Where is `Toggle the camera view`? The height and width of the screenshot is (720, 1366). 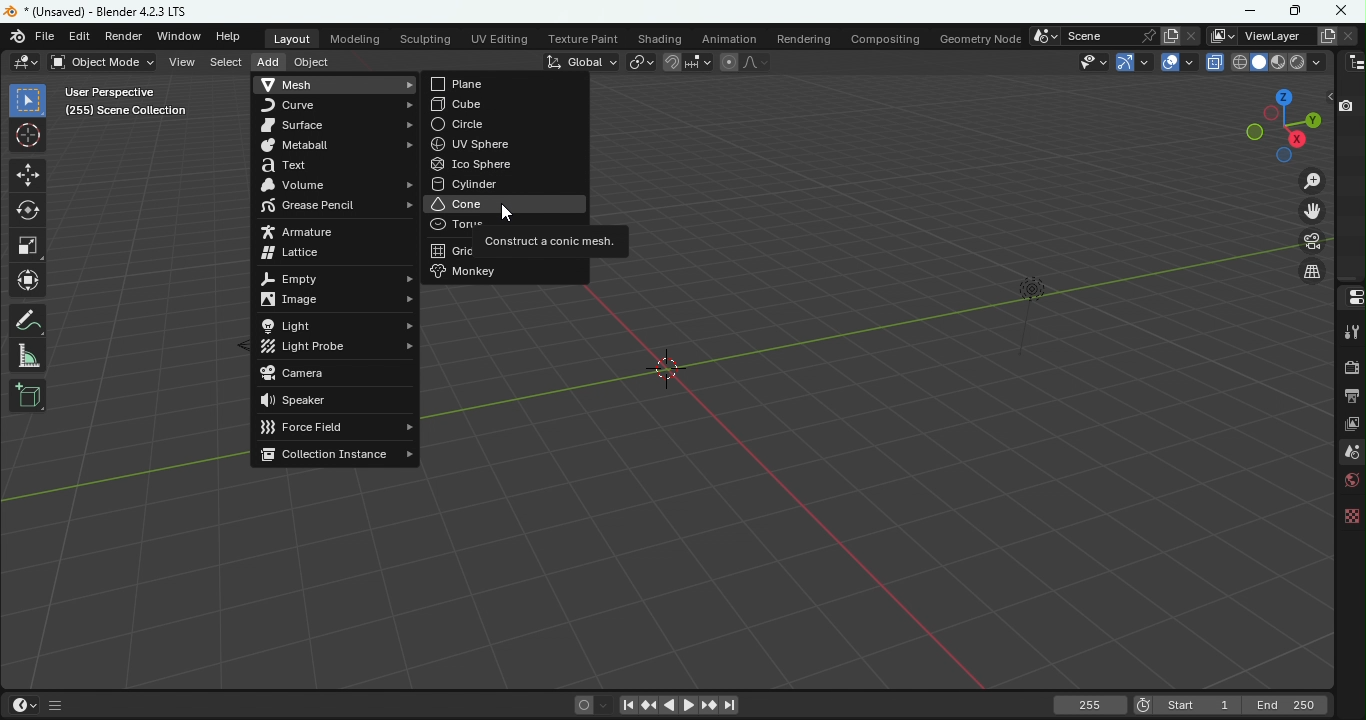
Toggle the camera view is located at coordinates (1313, 244).